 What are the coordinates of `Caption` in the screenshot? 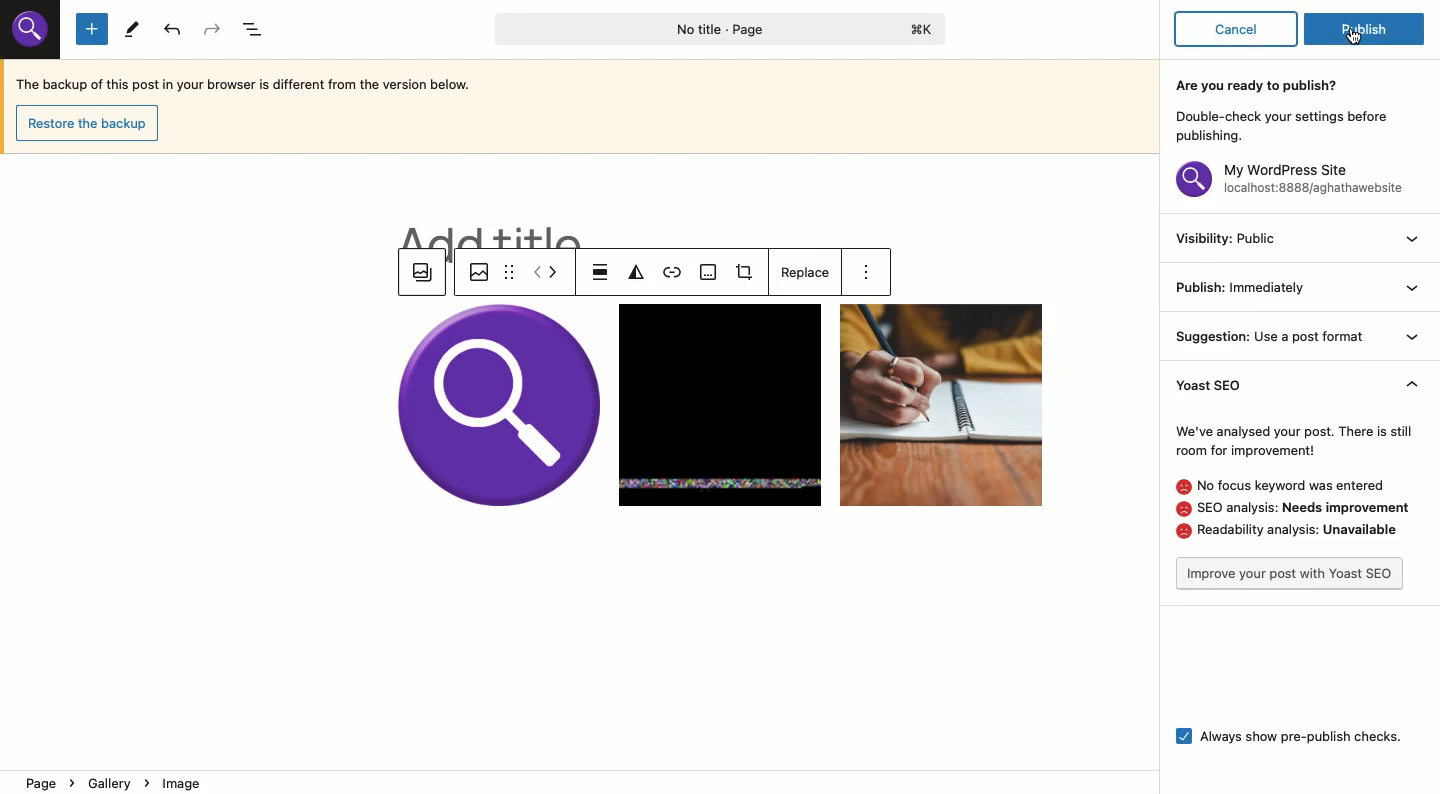 It's located at (709, 274).